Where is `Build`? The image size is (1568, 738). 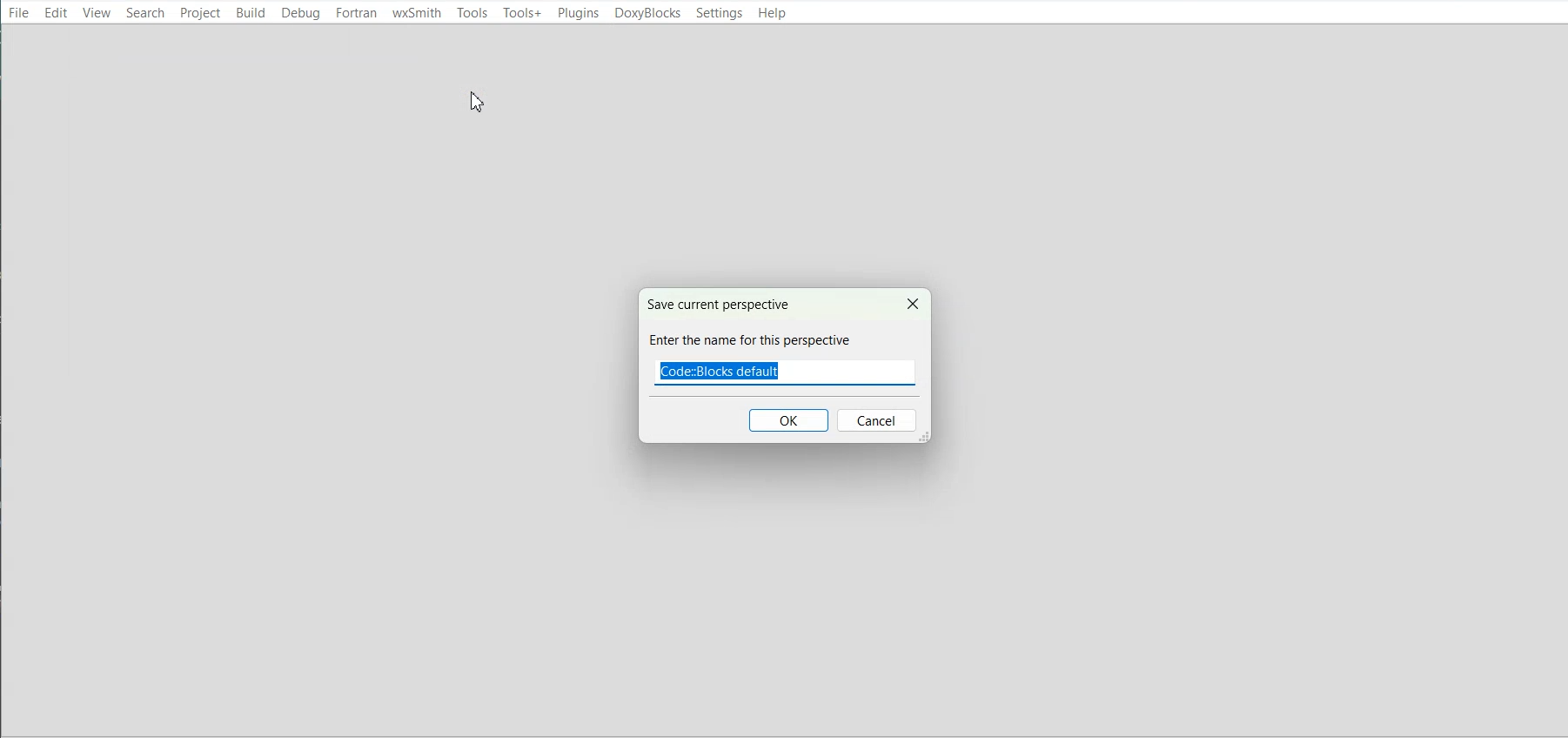 Build is located at coordinates (250, 12).